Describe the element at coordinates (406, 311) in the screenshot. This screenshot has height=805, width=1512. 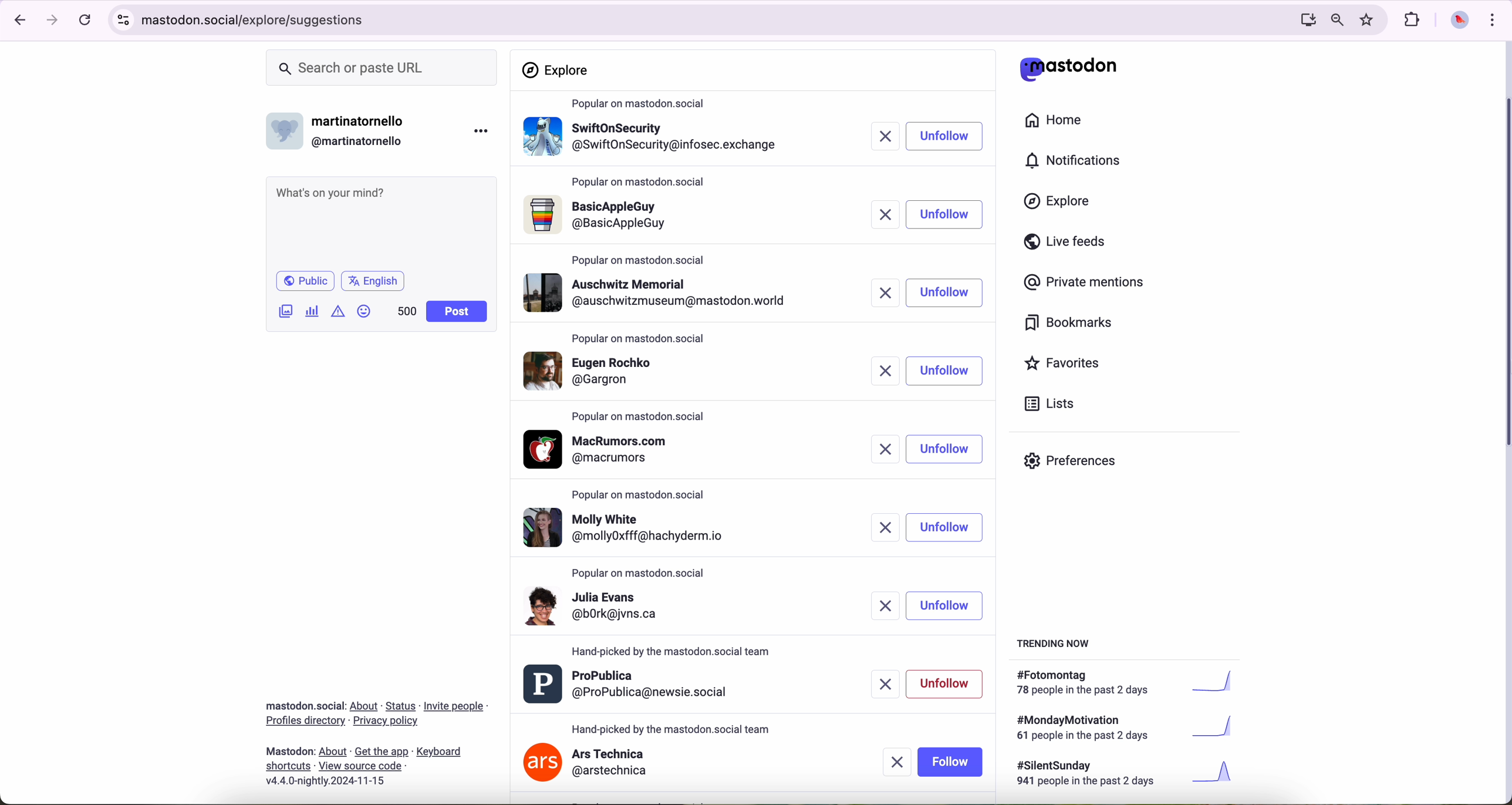
I see `500 characters` at that location.